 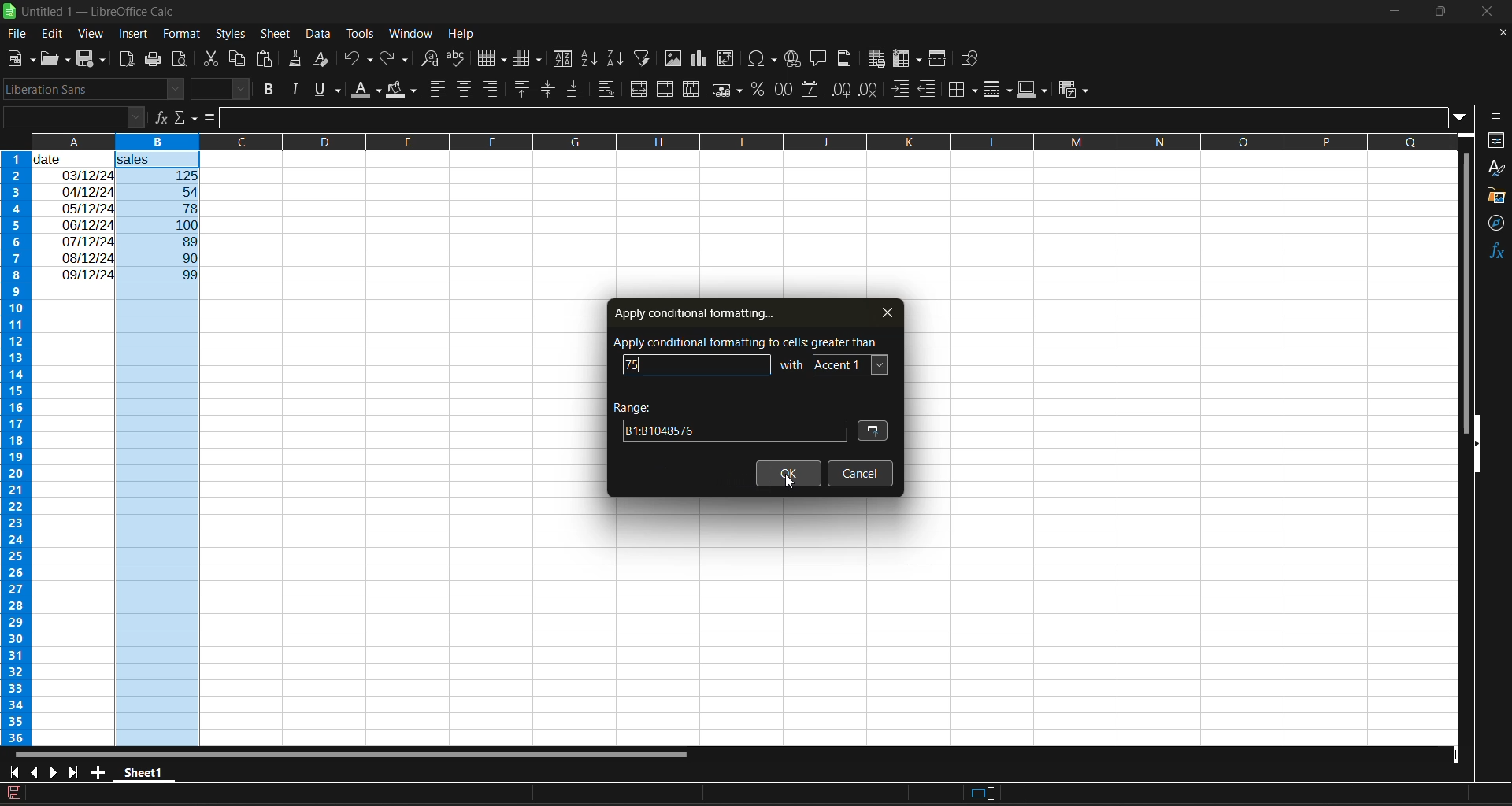 What do you see at coordinates (647, 58) in the screenshot?
I see `autofill` at bounding box center [647, 58].